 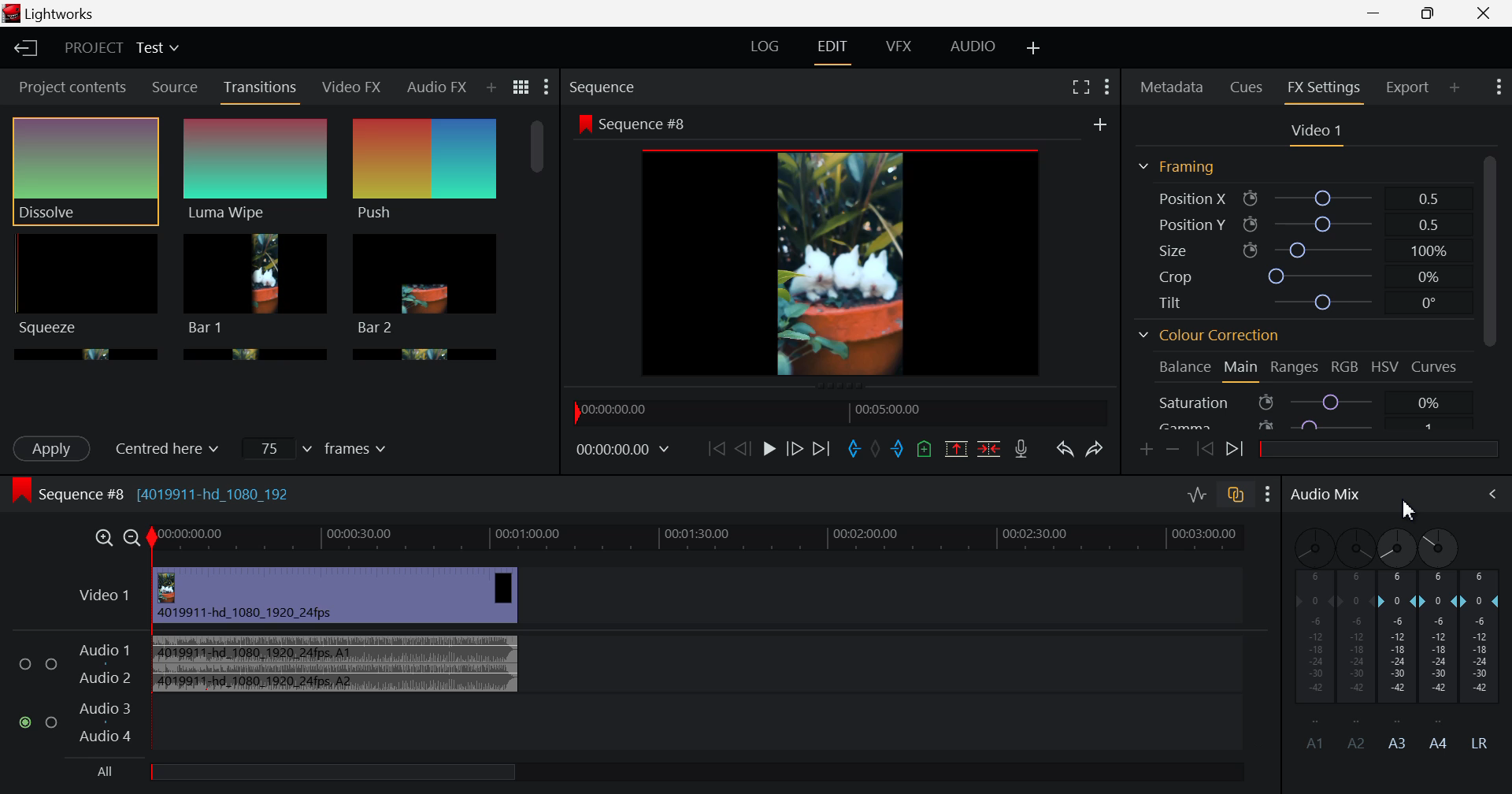 What do you see at coordinates (1484, 495) in the screenshot?
I see `Cursor on Audio Mix` at bounding box center [1484, 495].